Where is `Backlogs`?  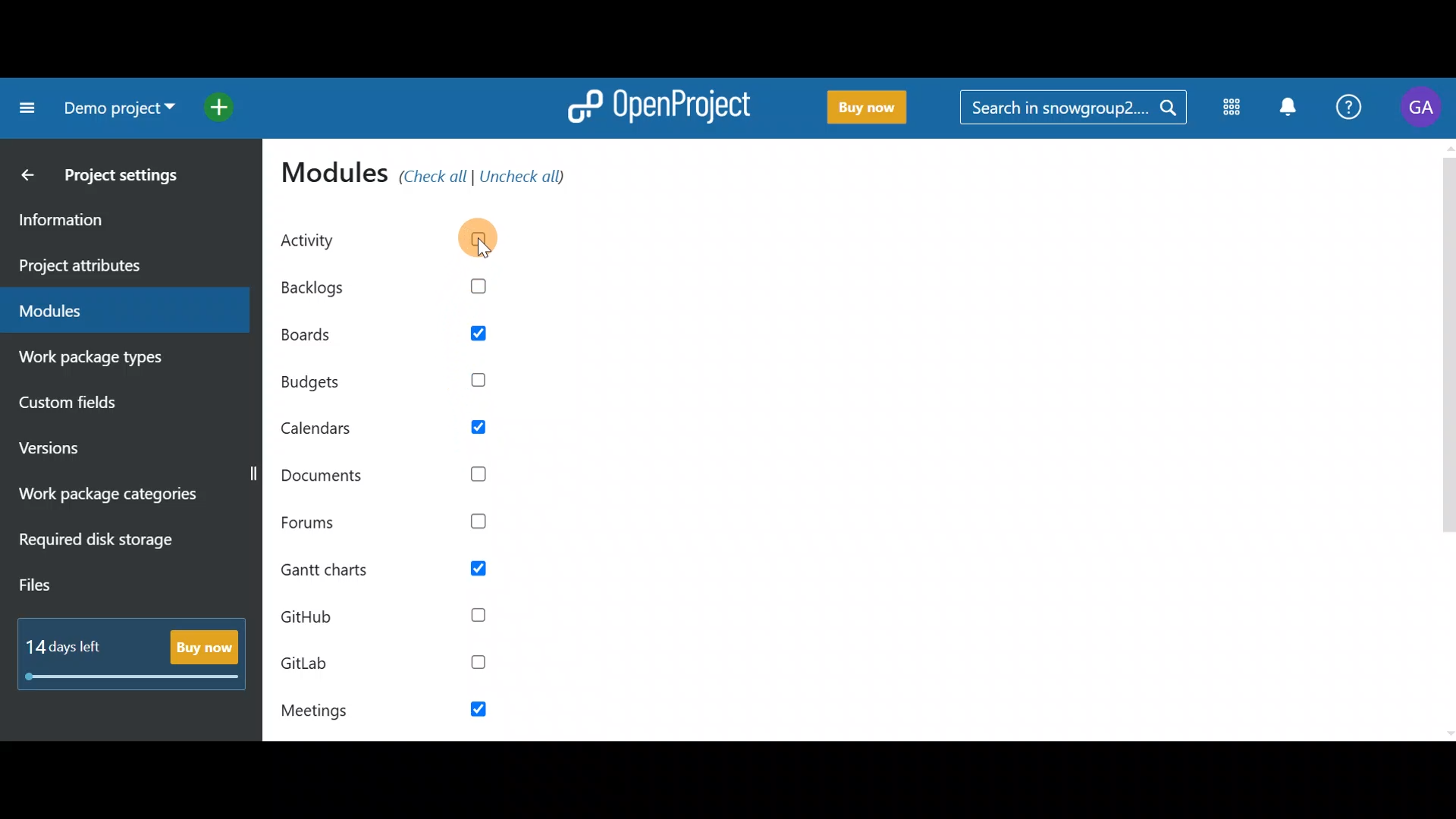
Backlogs is located at coordinates (402, 281).